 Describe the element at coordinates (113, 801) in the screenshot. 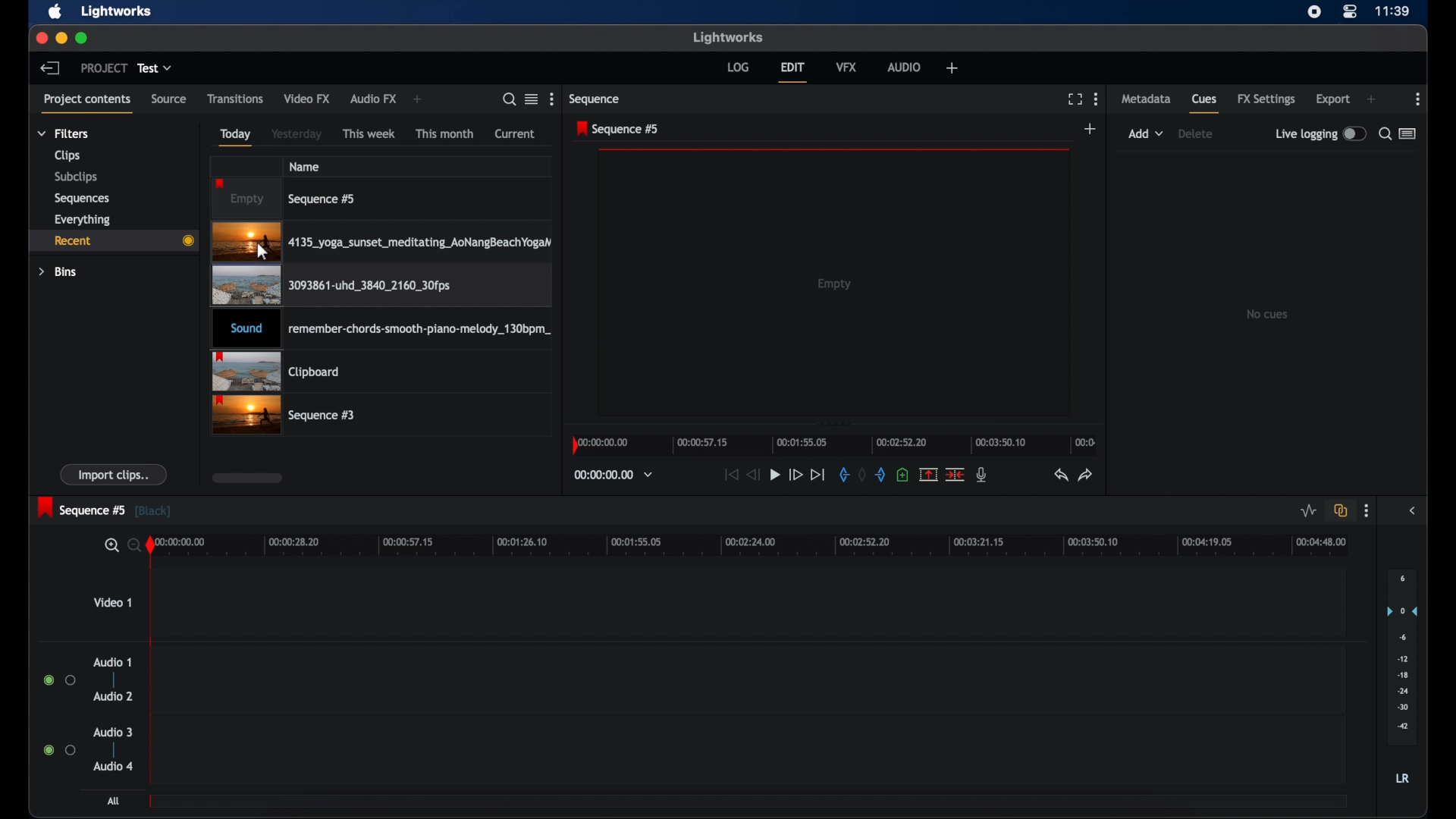

I see `all` at that location.